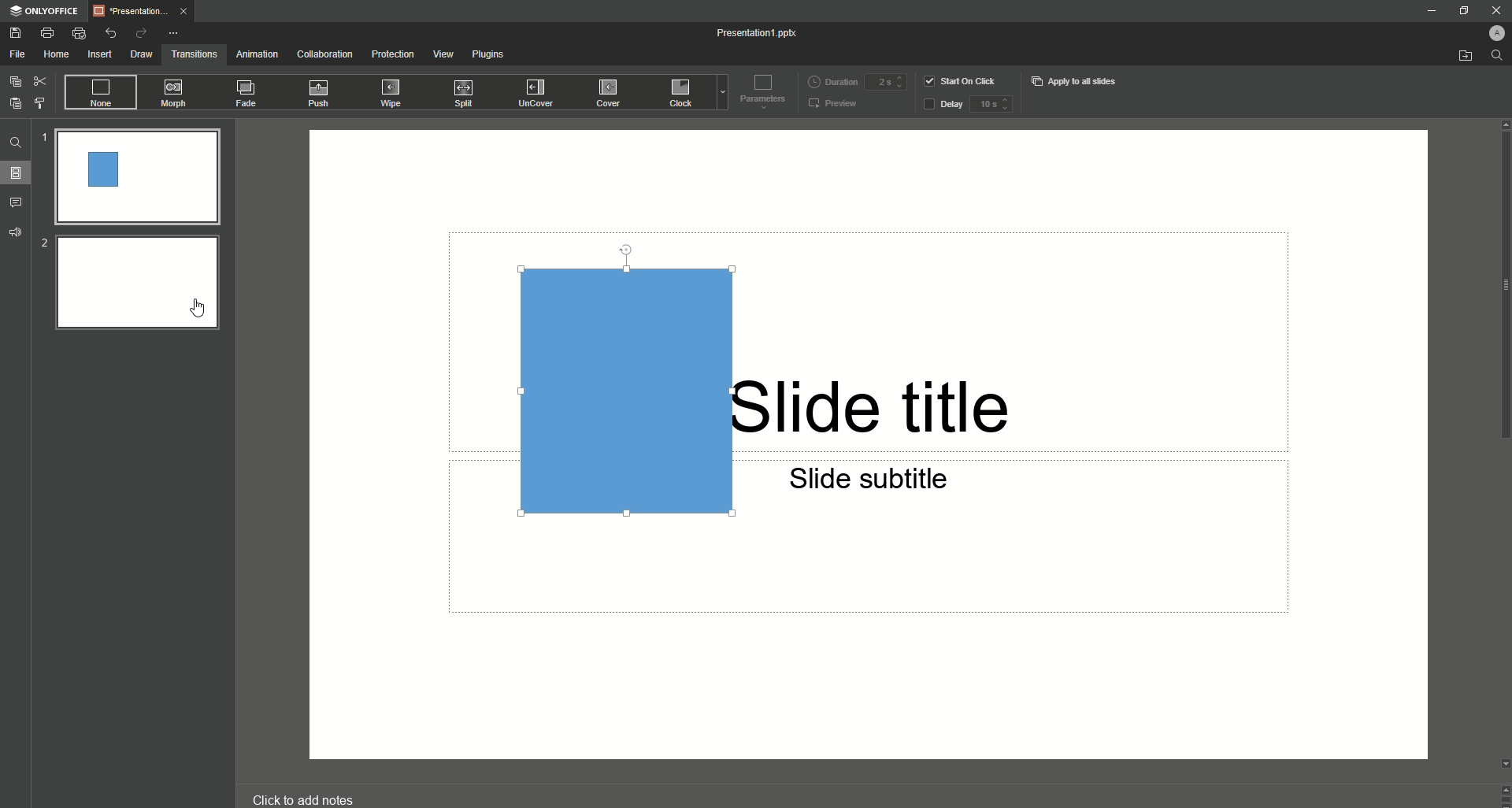 This screenshot has height=808, width=1512. What do you see at coordinates (102, 92) in the screenshot?
I see `None` at bounding box center [102, 92].